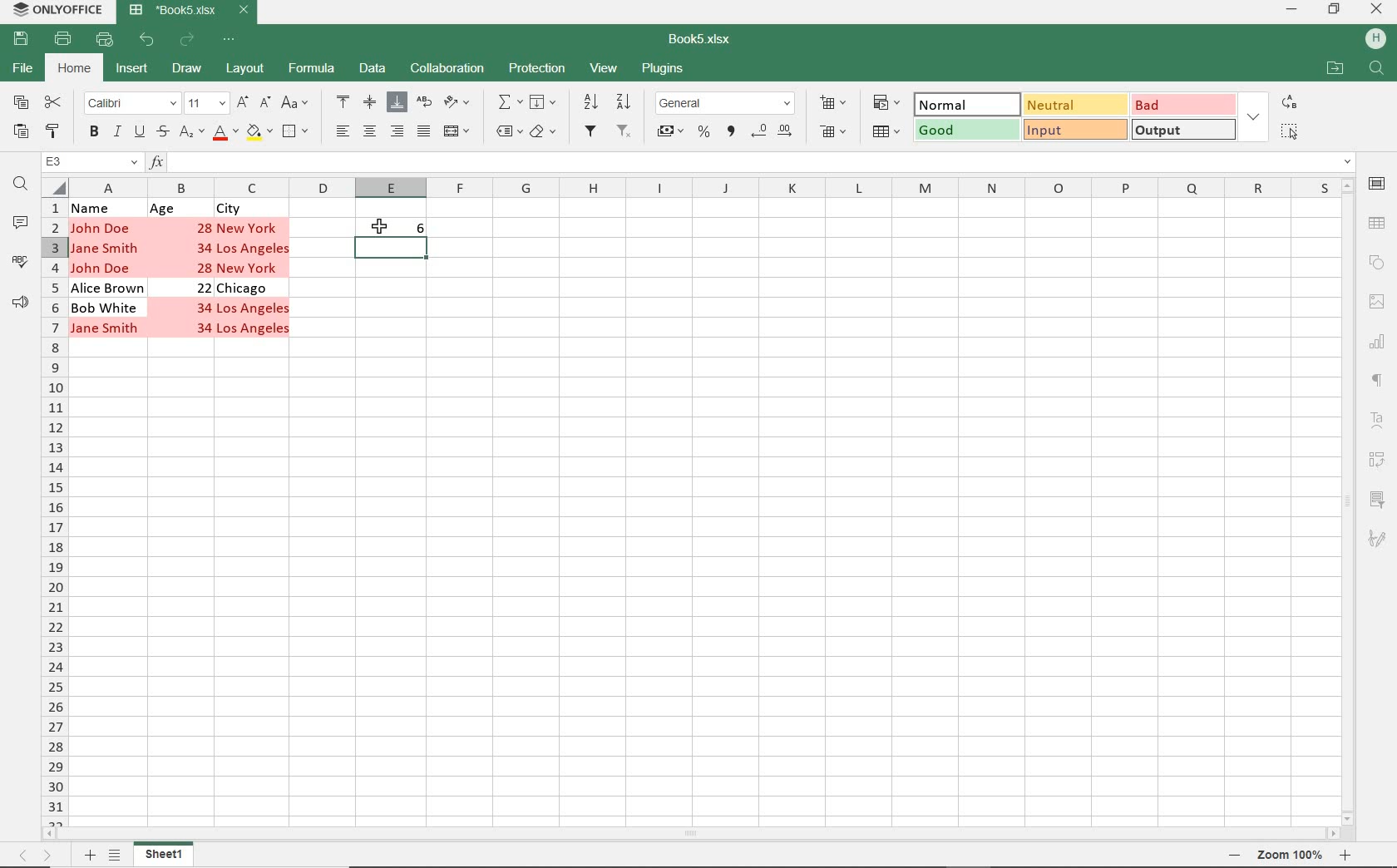 The width and height of the screenshot is (1397, 868). I want to click on PRINT, so click(65, 38).